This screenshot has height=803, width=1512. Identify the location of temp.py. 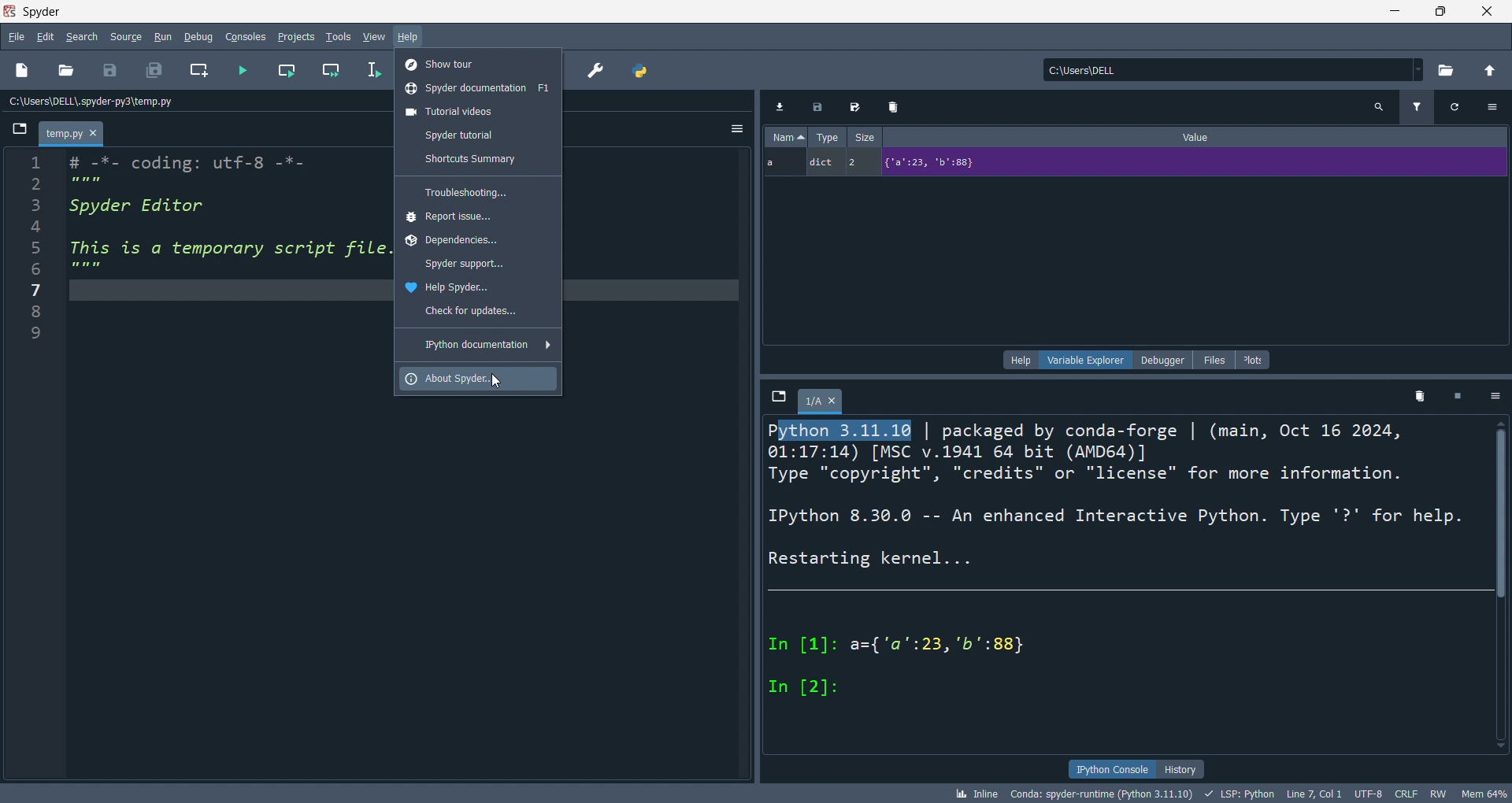
(71, 134).